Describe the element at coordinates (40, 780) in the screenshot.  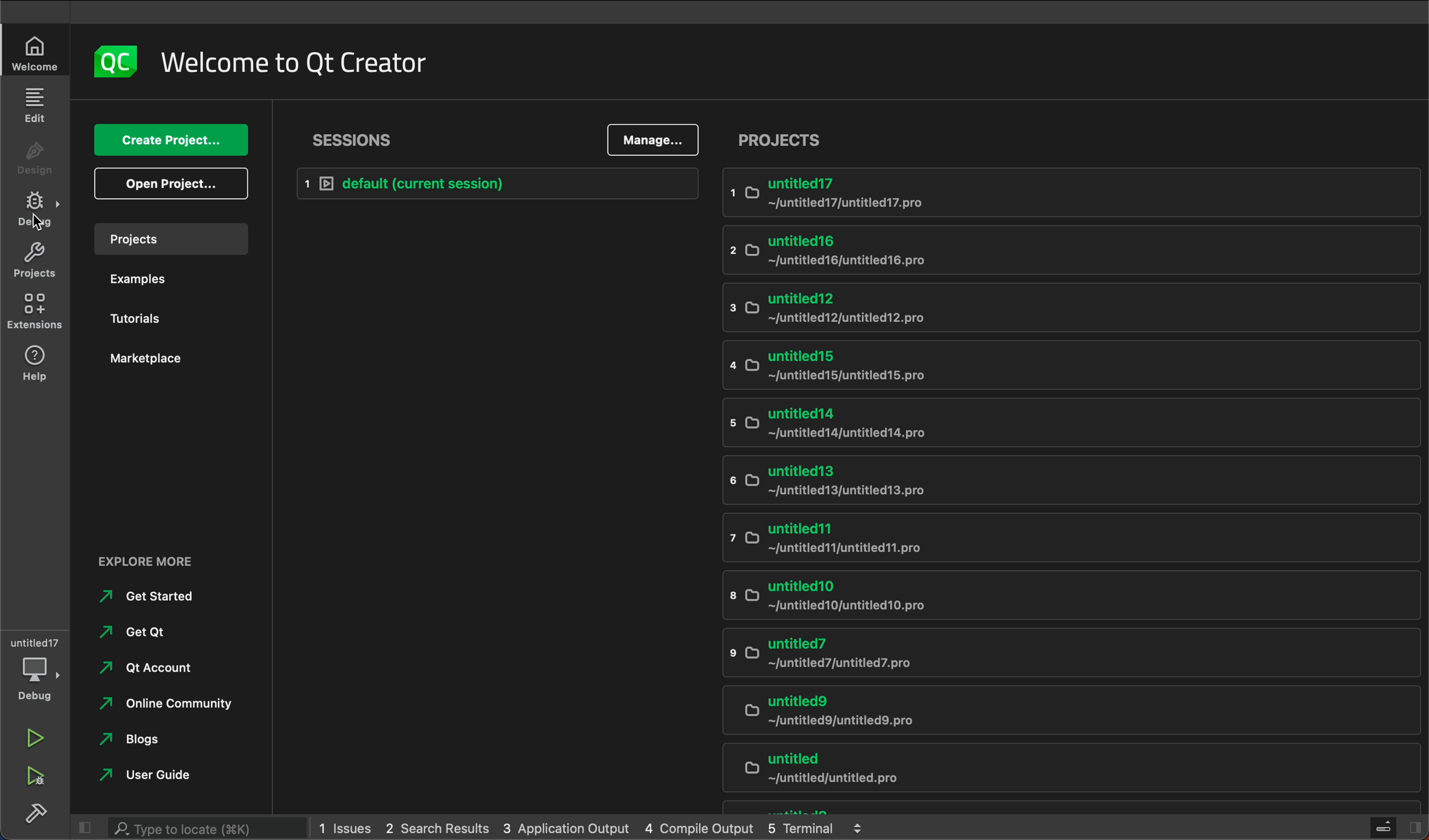
I see `run and debug` at that location.